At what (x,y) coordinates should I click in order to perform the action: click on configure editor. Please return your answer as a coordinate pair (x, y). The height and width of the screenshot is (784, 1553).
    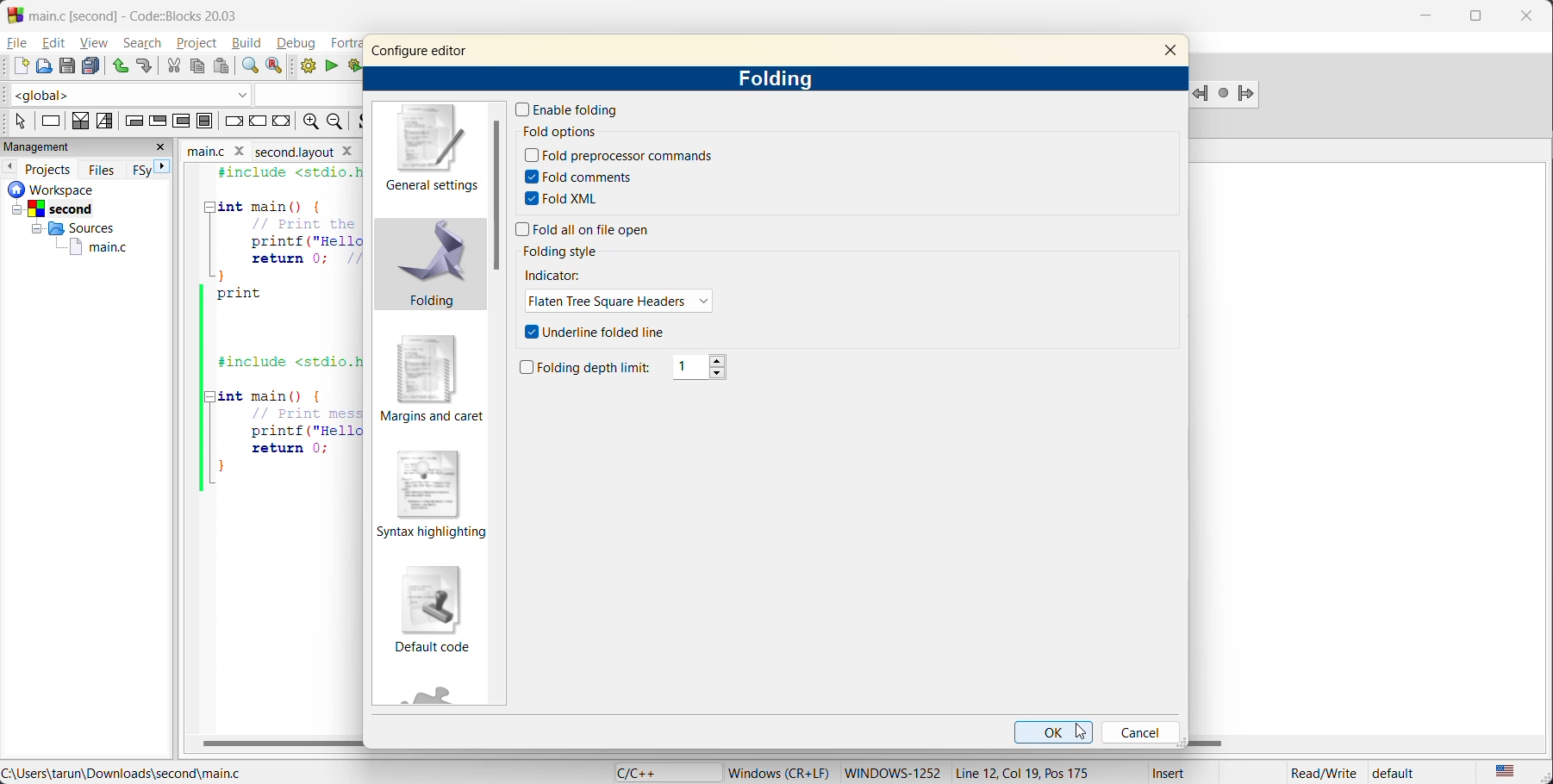
    Looking at the image, I should click on (427, 51).